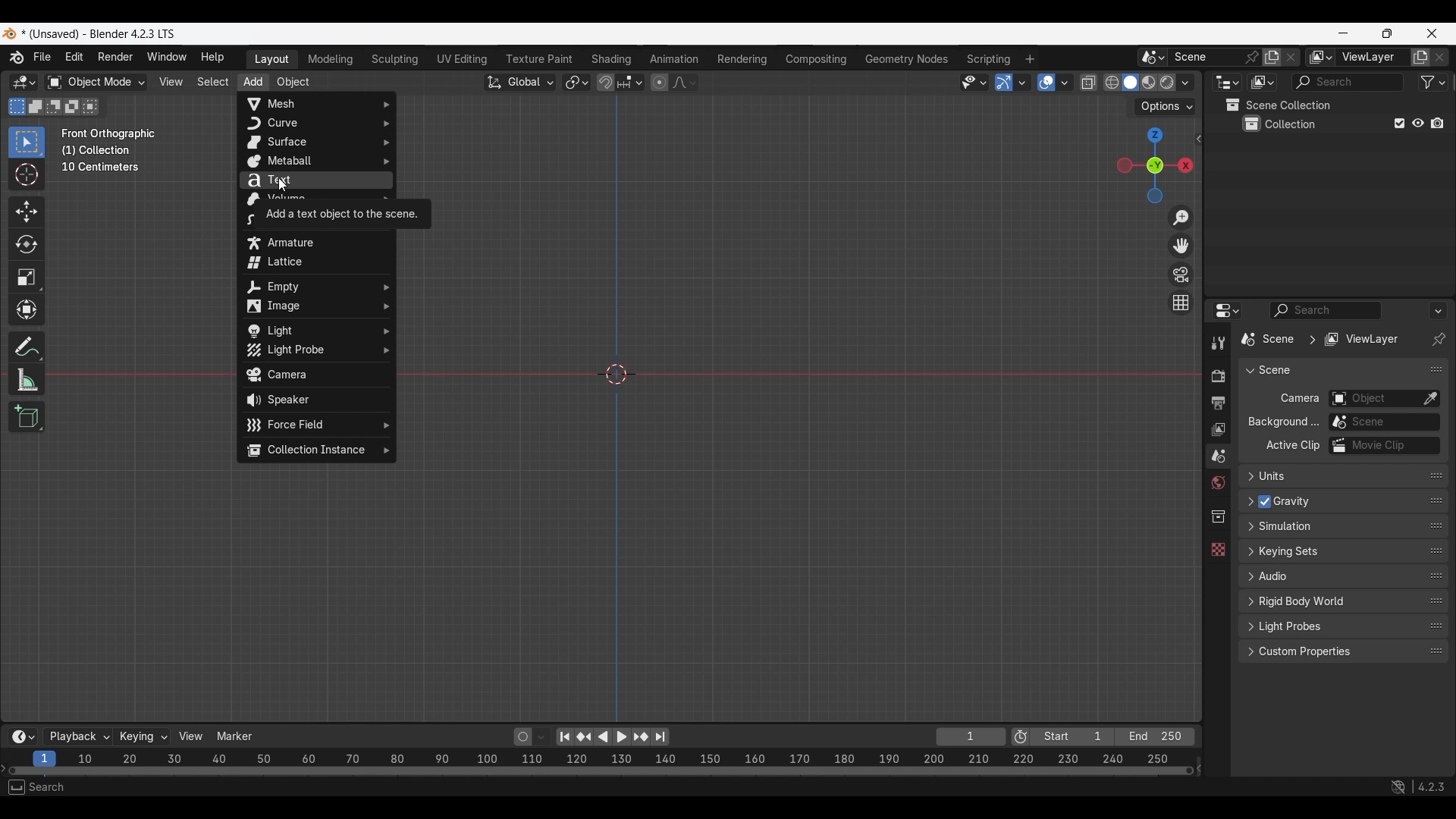 This screenshot has width=1456, height=819. Describe the element at coordinates (54, 107) in the screenshot. I see `Subtract existing selection` at that location.